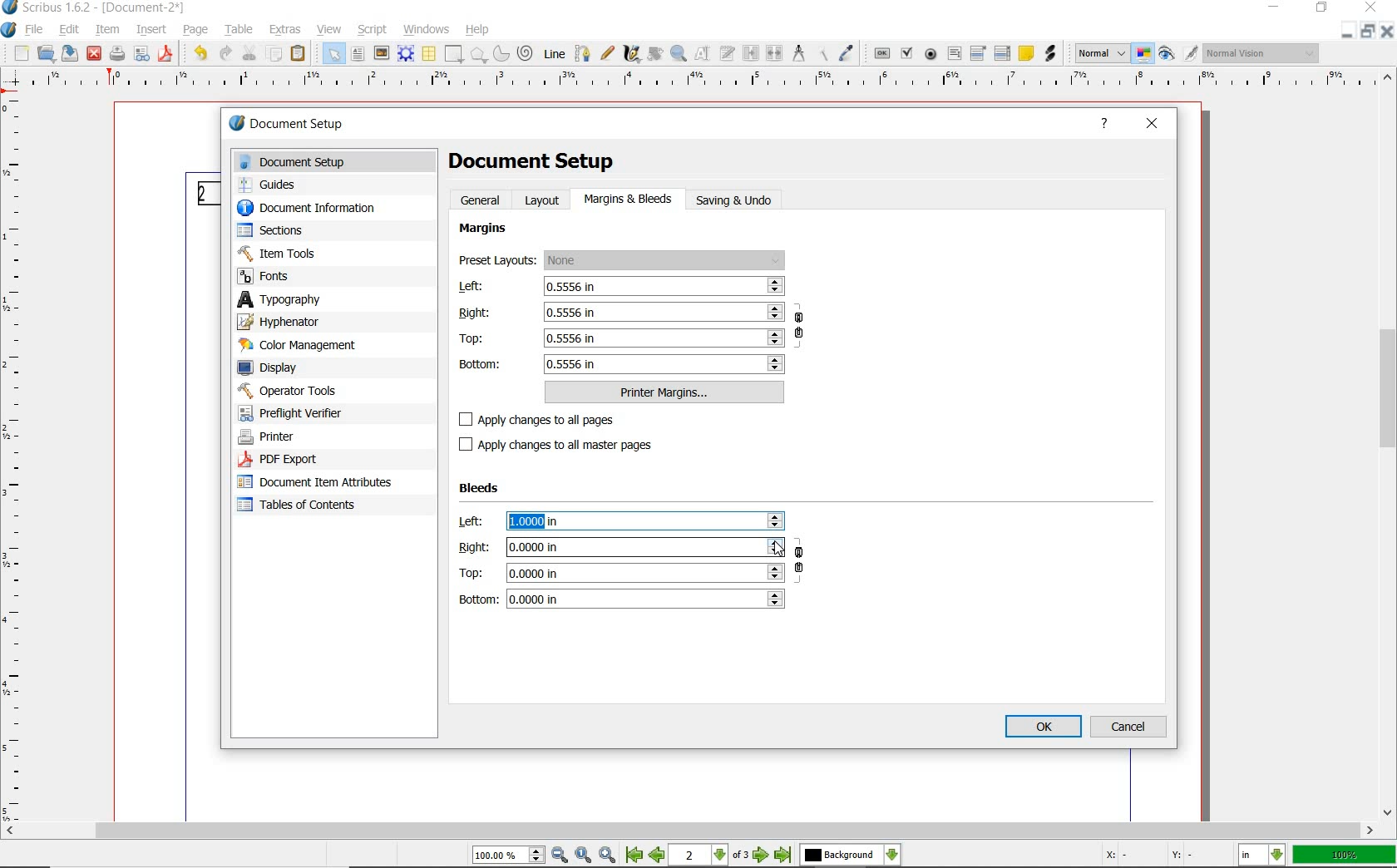 The image size is (1397, 868). Describe the element at coordinates (240, 31) in the screenshot. I see `table` at that location.